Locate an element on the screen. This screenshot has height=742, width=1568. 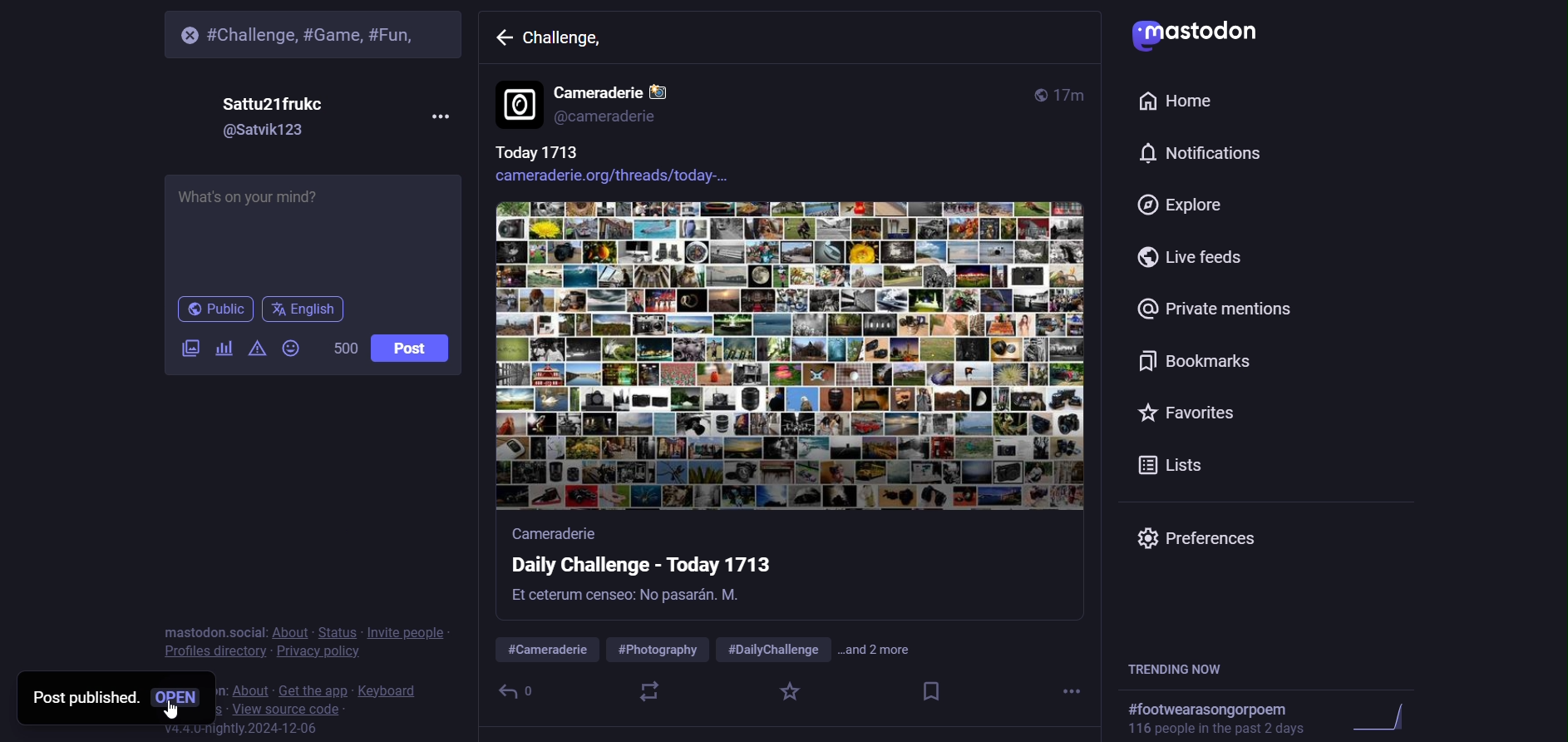
more is located at coordinates (437, 116).